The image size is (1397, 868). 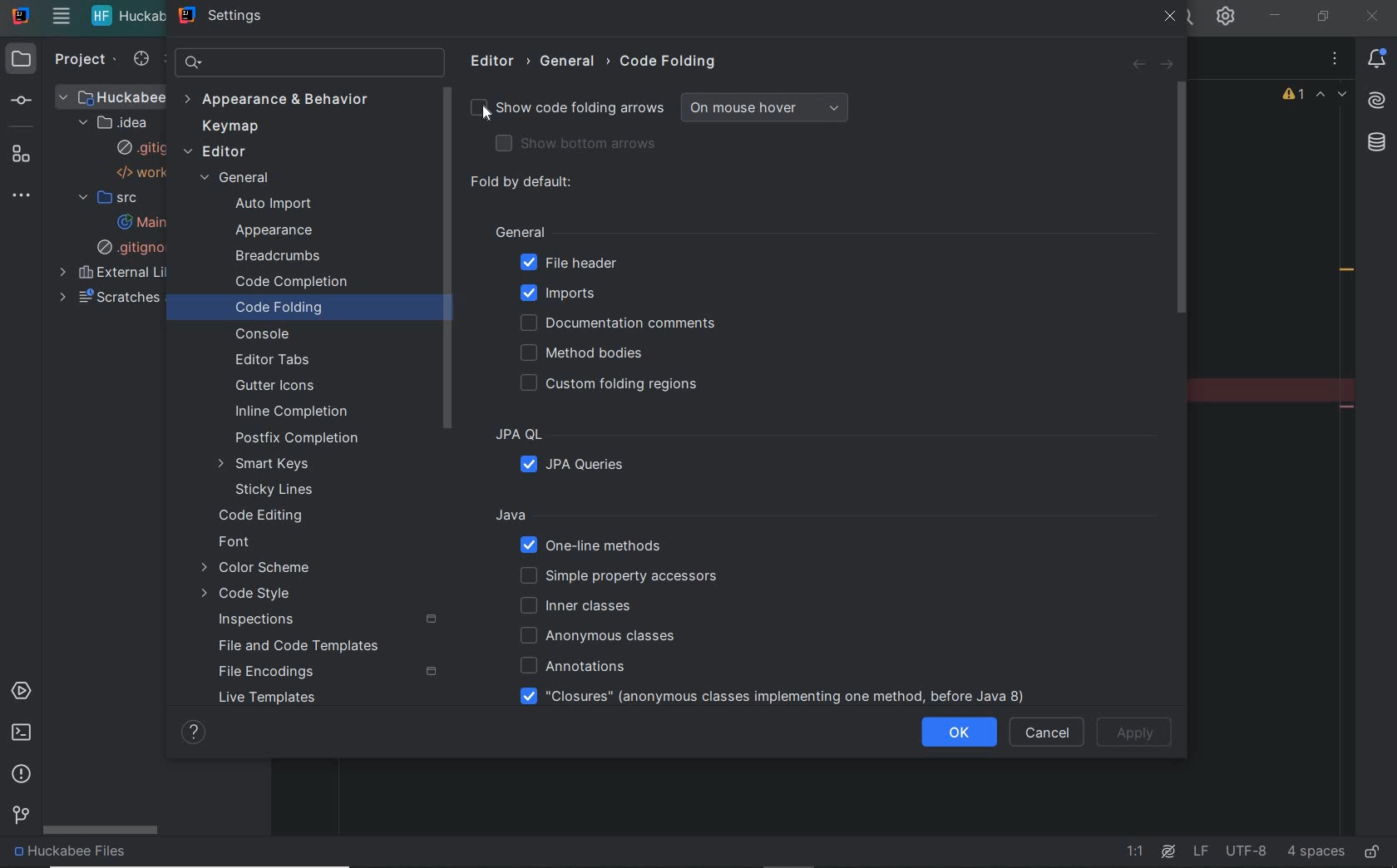 I want to click on settings, so click(x=1227, y=18).